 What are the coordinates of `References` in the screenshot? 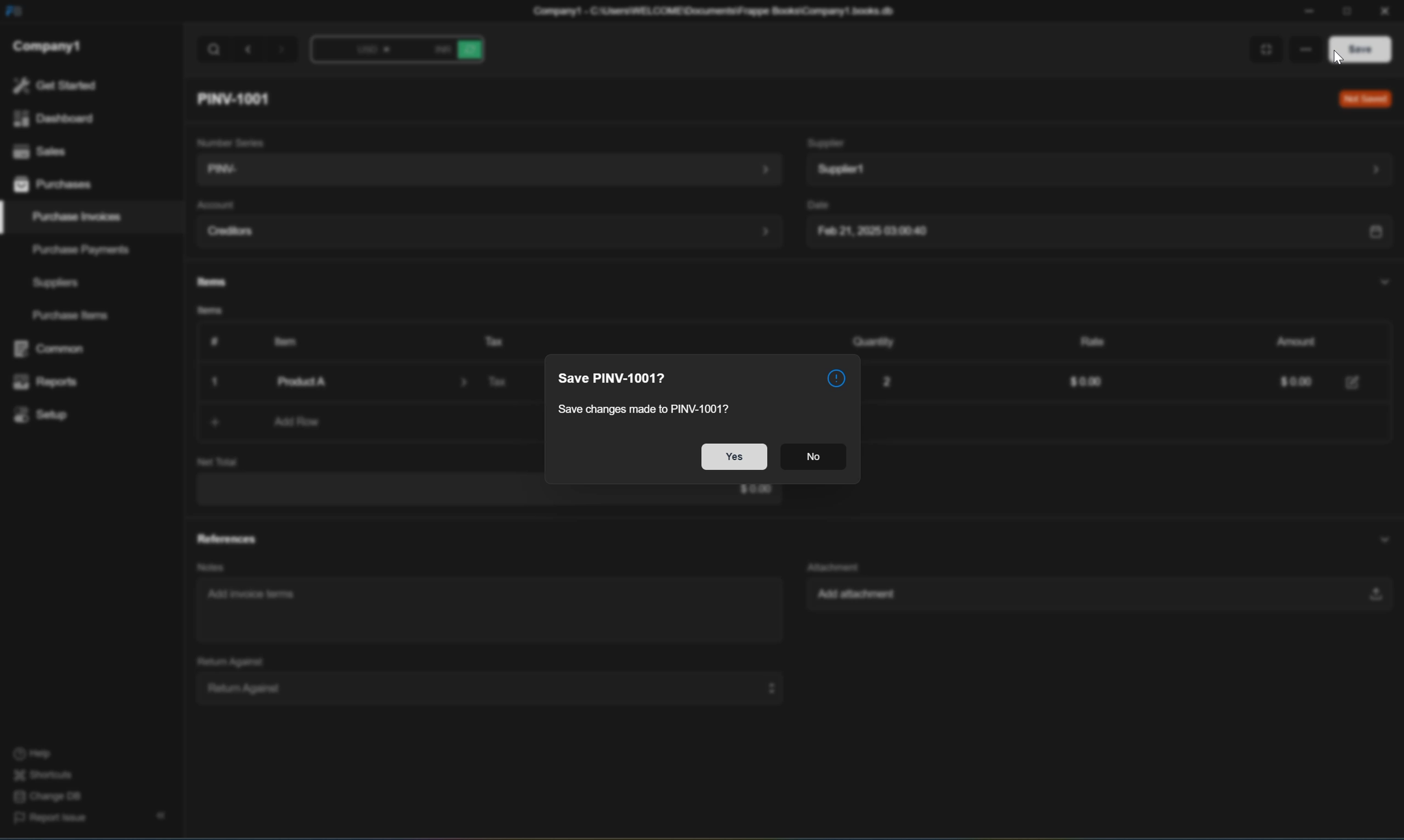 It's located at (226, 538).